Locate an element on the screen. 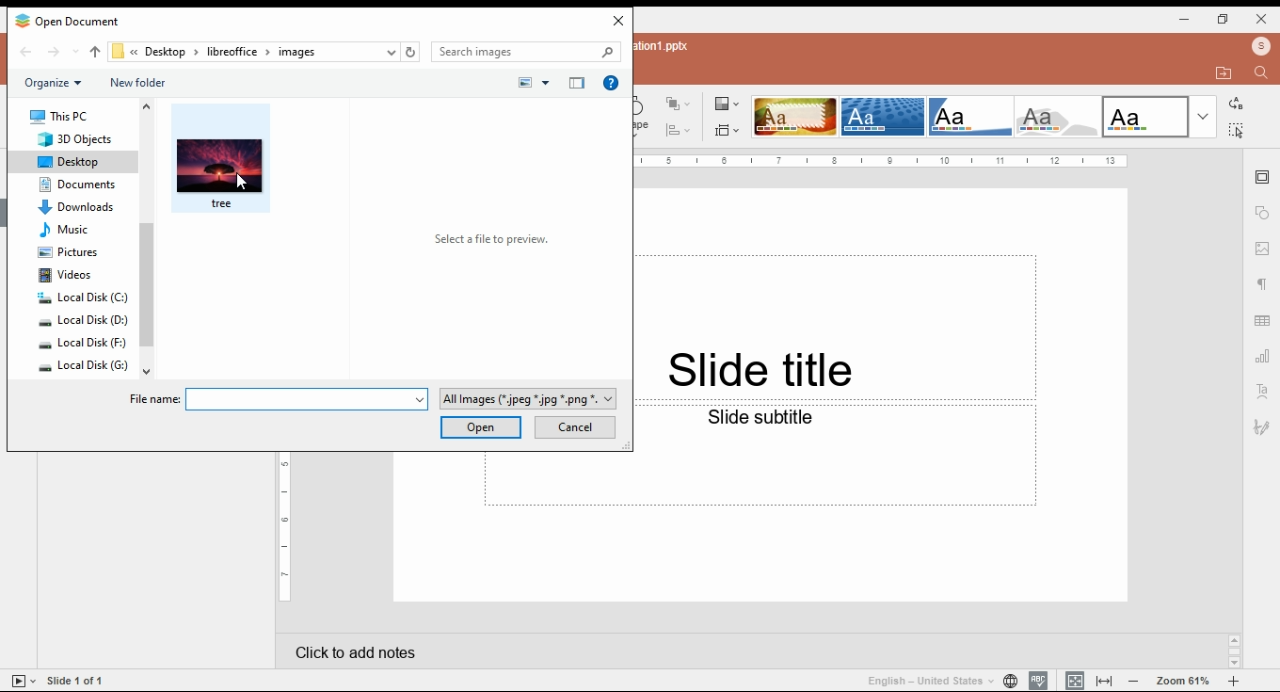 The height and width of the screenshot is (692, 1280). spell check is located at coordinates (1039, 679).